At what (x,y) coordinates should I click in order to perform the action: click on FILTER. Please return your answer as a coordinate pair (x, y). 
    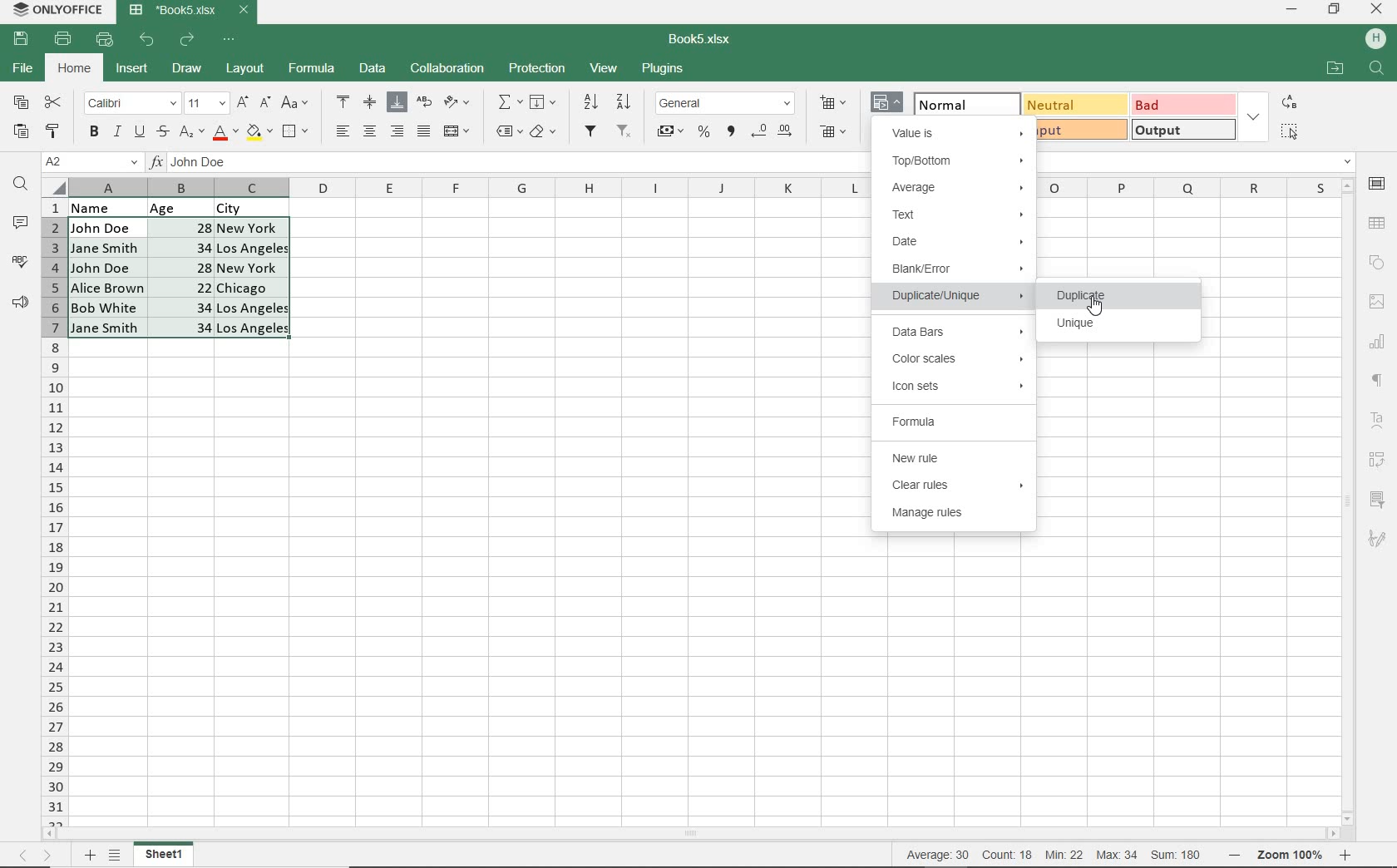
    Looking at the image, I should click on (592, 131).